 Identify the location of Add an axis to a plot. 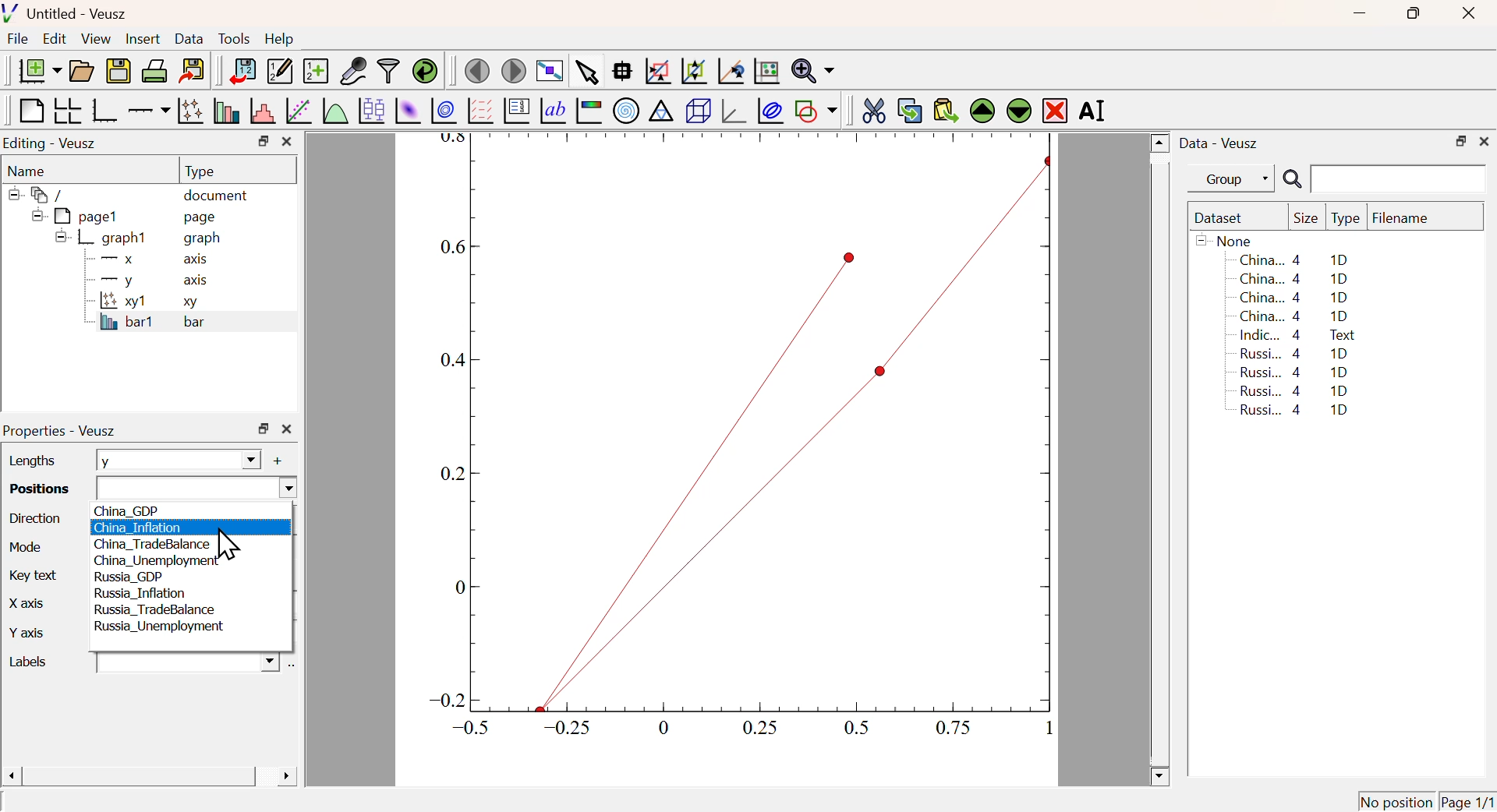
(148, 112).